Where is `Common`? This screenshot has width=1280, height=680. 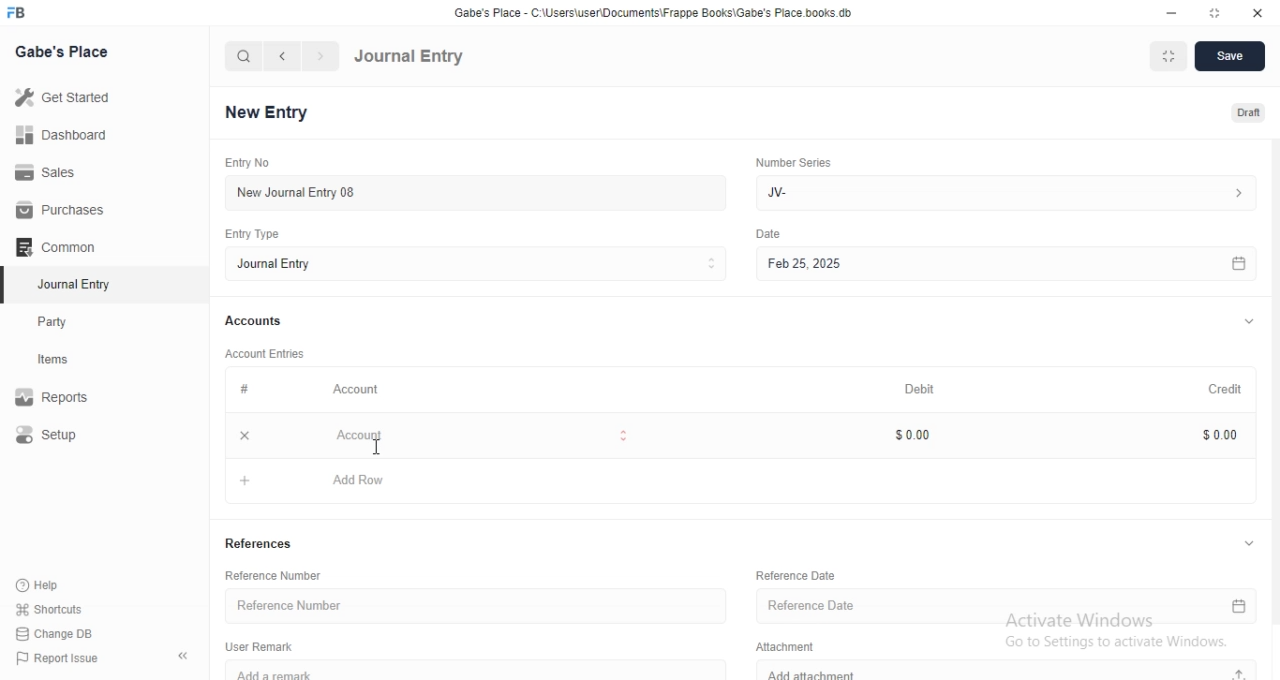 Common is located at coordinates (60, 247).